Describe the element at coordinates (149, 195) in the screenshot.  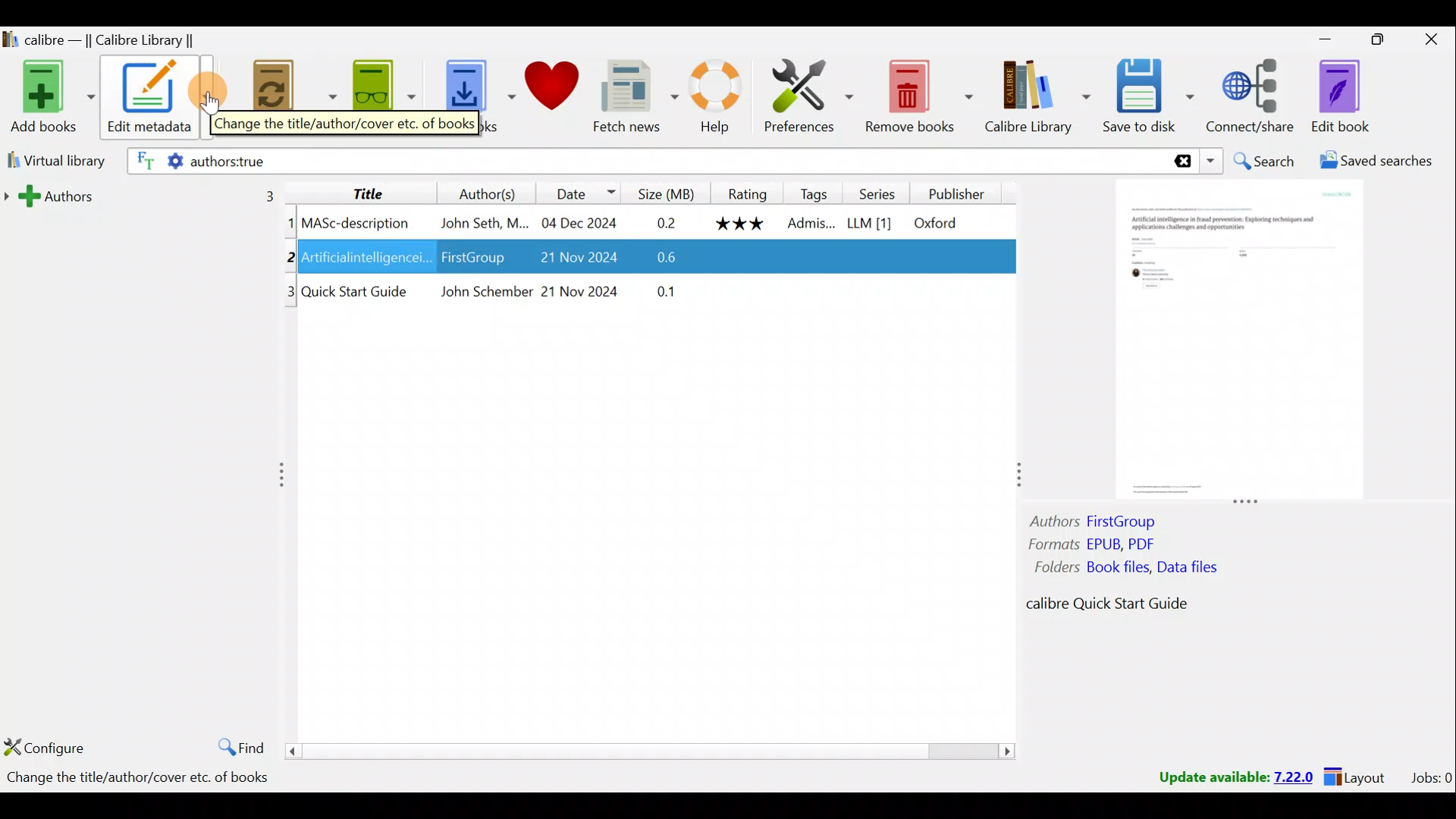
I see `Authors` at that location.